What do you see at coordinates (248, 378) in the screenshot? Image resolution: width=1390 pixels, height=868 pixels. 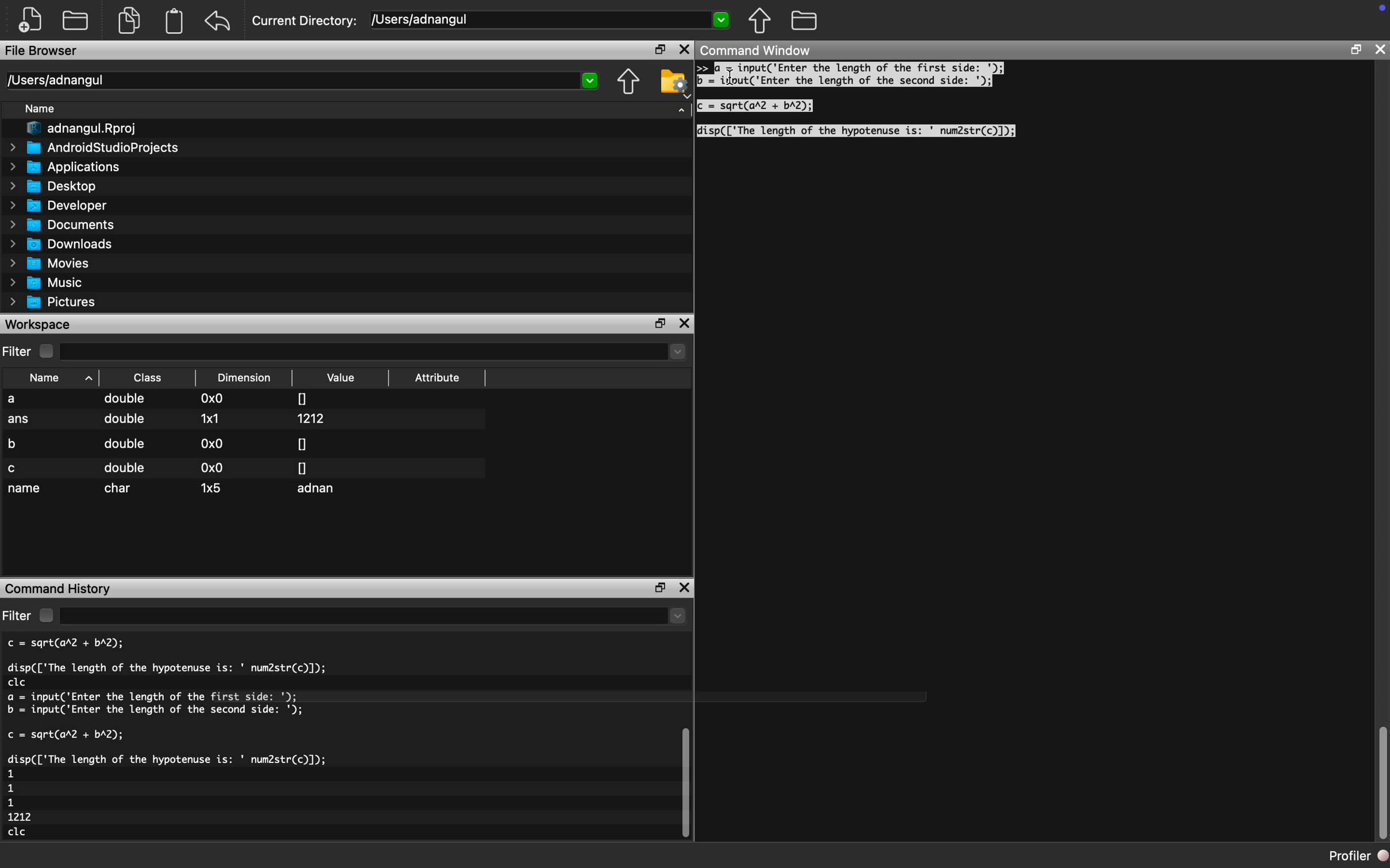 I see `Dimension` at bounding box center [248, 378].